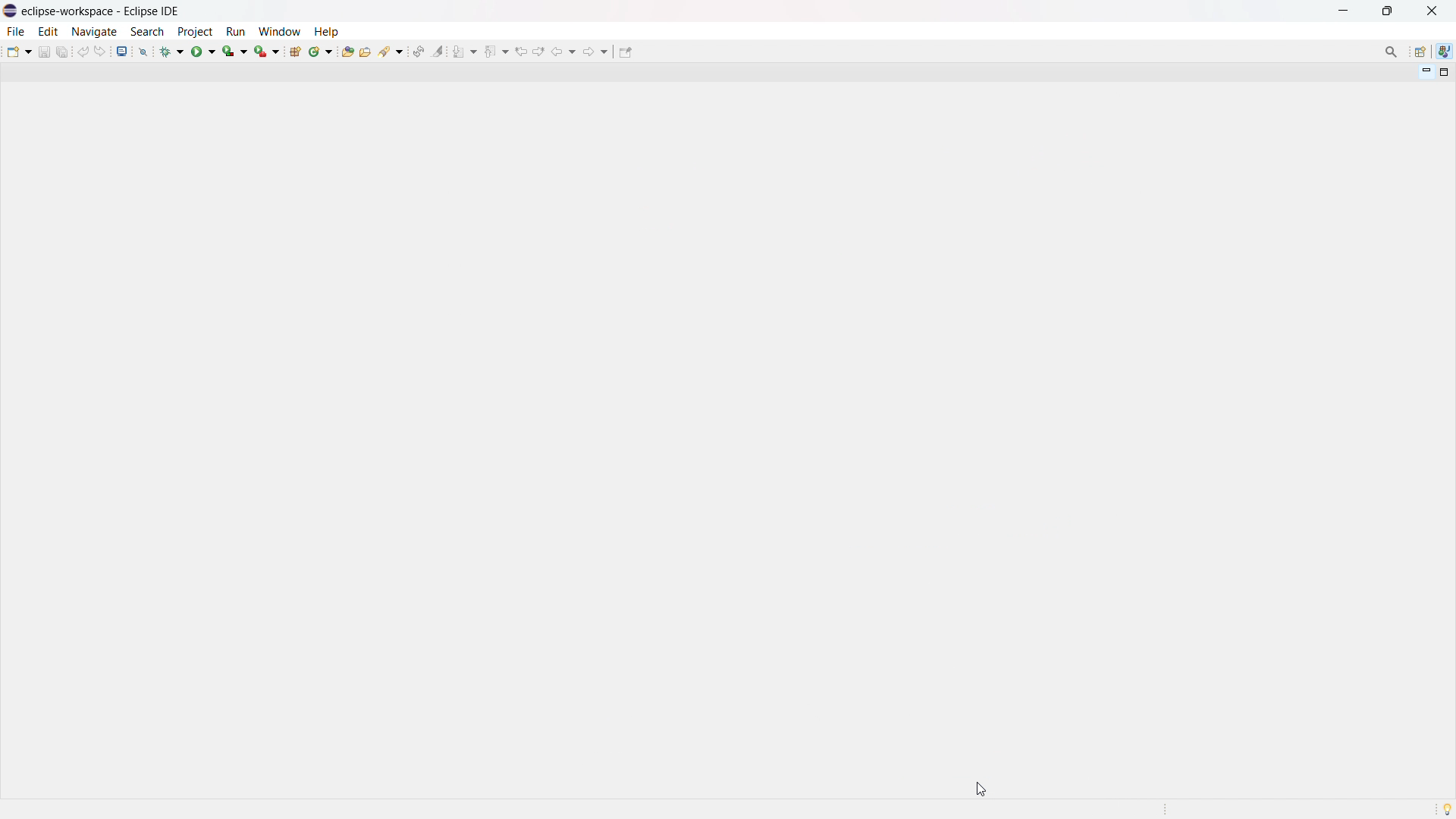  Describe the element at coordinates (121, 52) in the screenshot. I see `open console` at that location.